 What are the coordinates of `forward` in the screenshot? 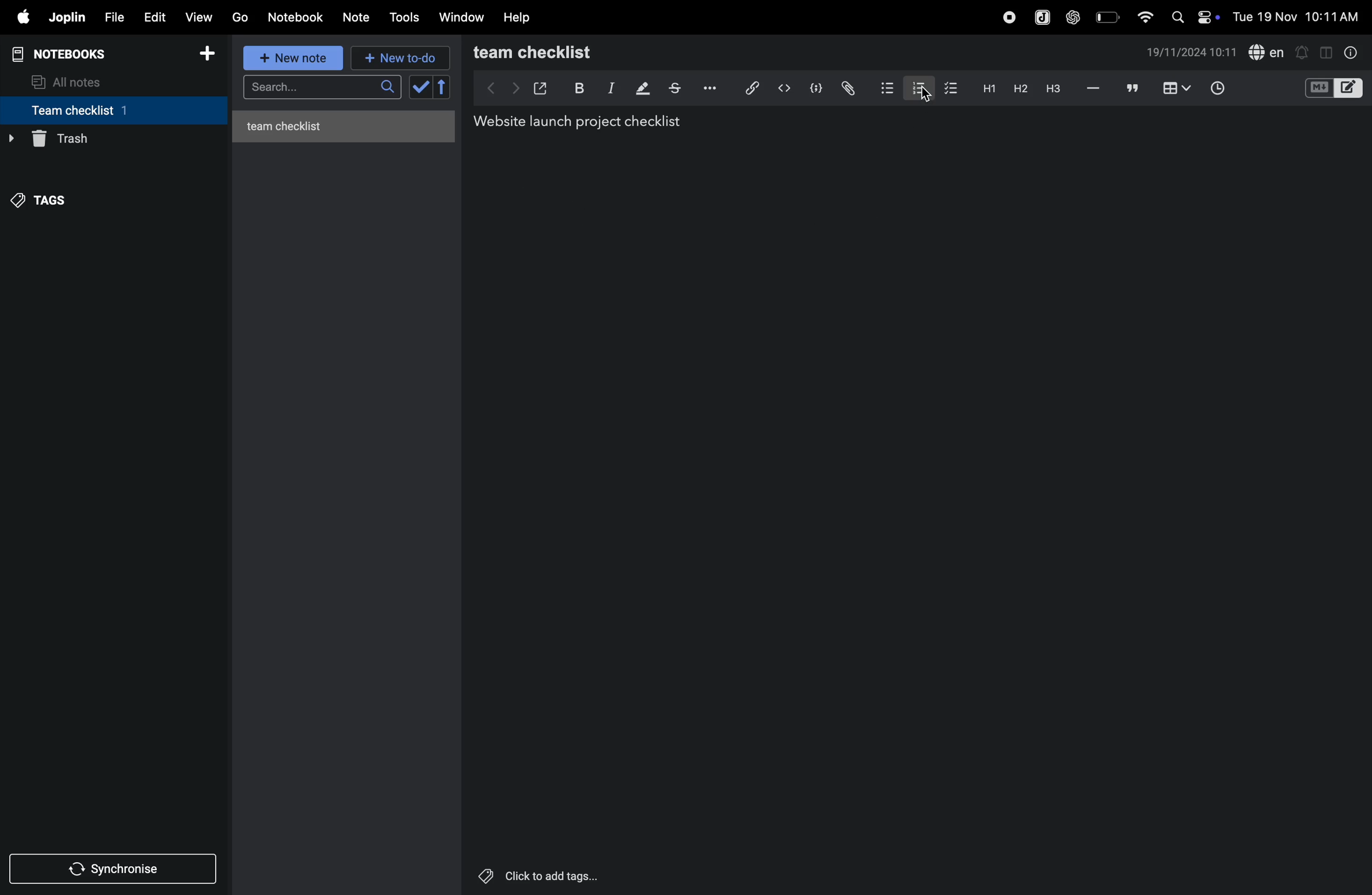 It's located at (512, 88).